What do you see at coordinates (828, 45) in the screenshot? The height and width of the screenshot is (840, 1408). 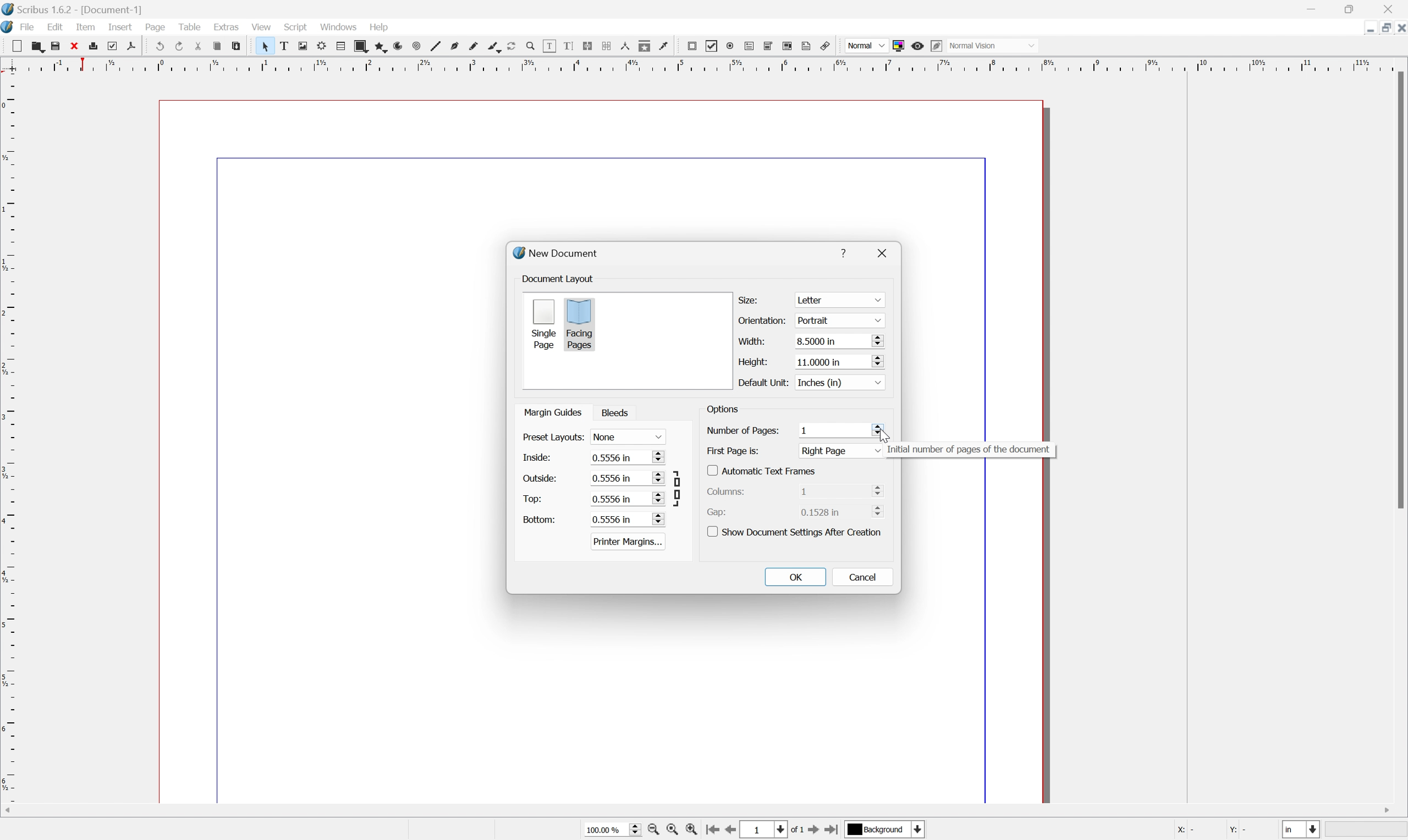 I see `link annotation` at bounding box center [828, 45].